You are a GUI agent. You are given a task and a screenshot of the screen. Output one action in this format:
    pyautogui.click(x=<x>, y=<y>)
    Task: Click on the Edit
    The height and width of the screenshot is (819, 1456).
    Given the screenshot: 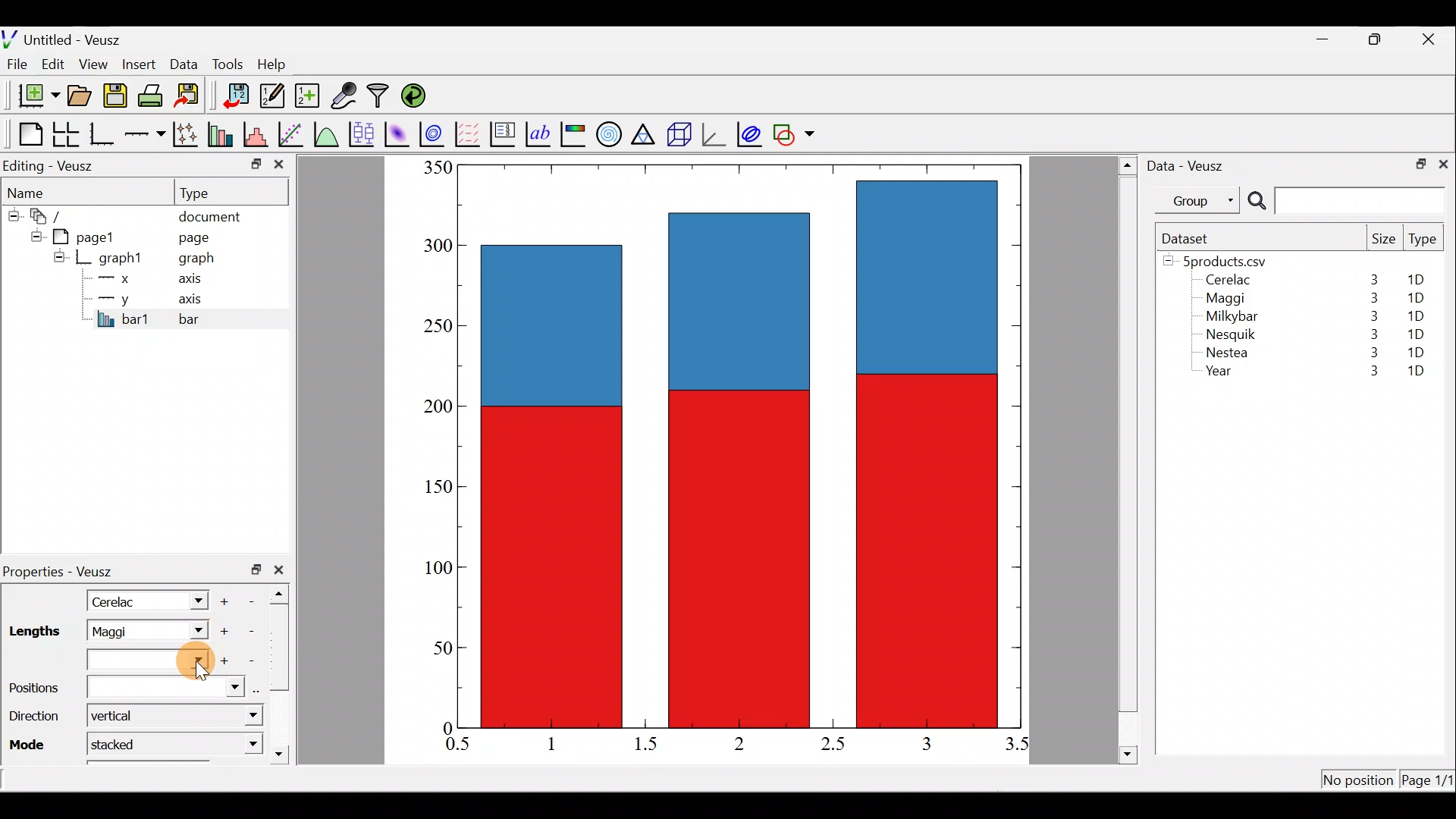 What is the action you would take?
    pyautogui.click(x=53, y=63)
    